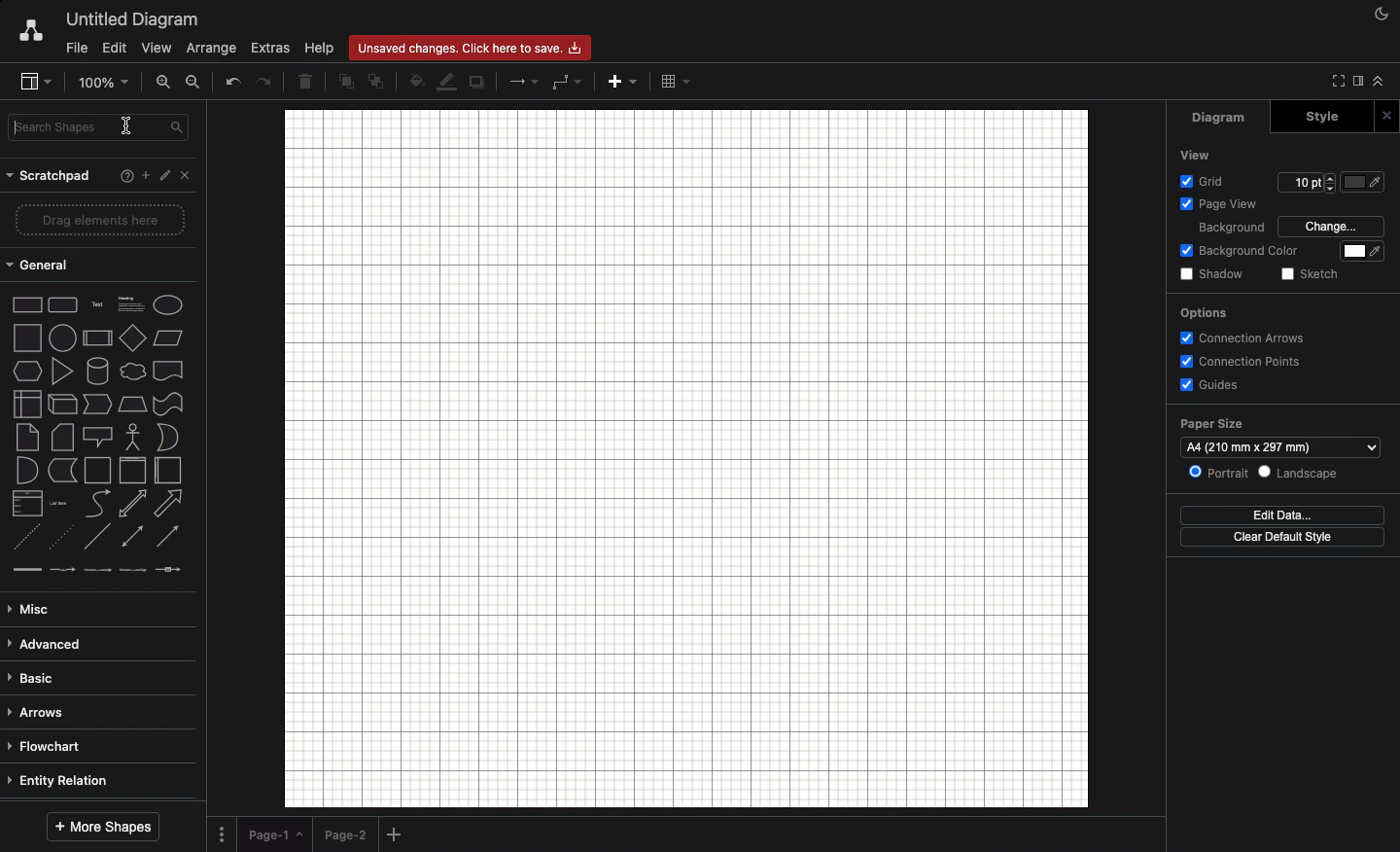 This screenshot has width=1400, height=852. What do you see at coordinates (104, 221) in the screenshot?
I see `Drag elements` at bounding box center [104, 221].